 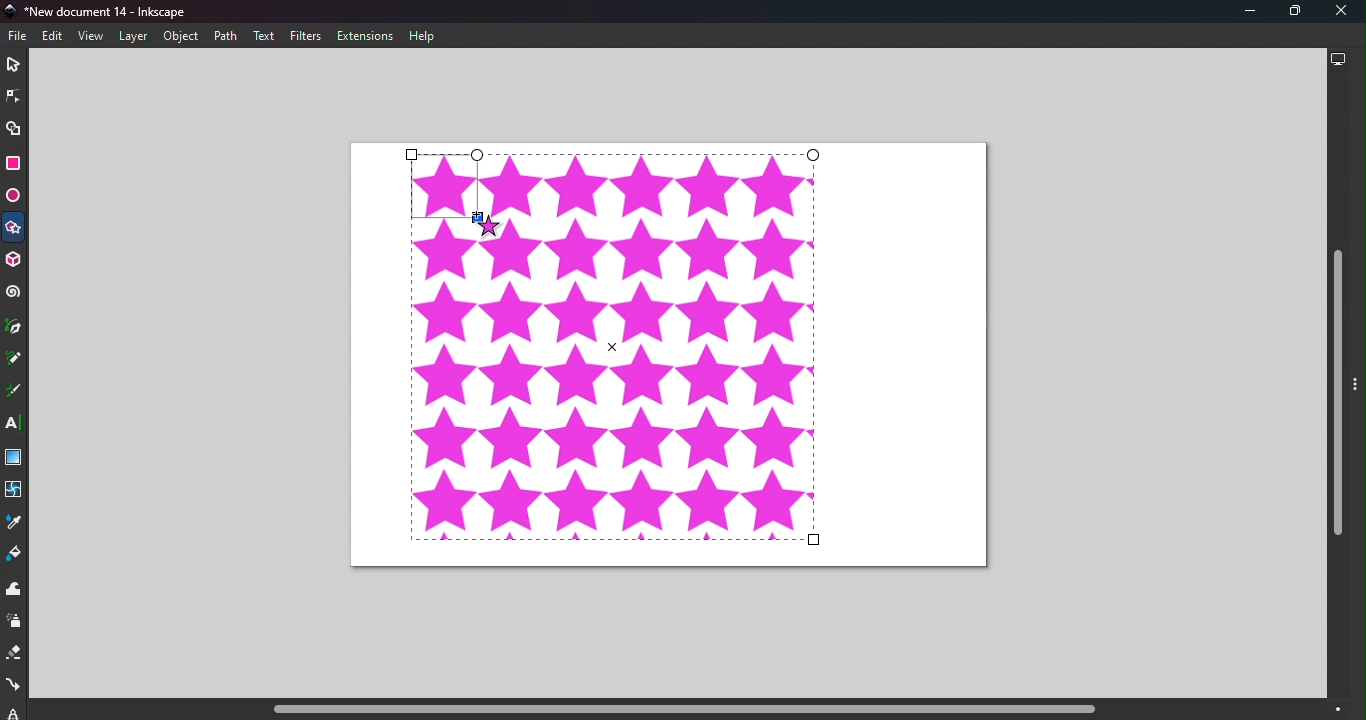 What do you see at coordinates (16, 260) in the screenshot?
I see `3D box tool` at bounding box center [16, 260].